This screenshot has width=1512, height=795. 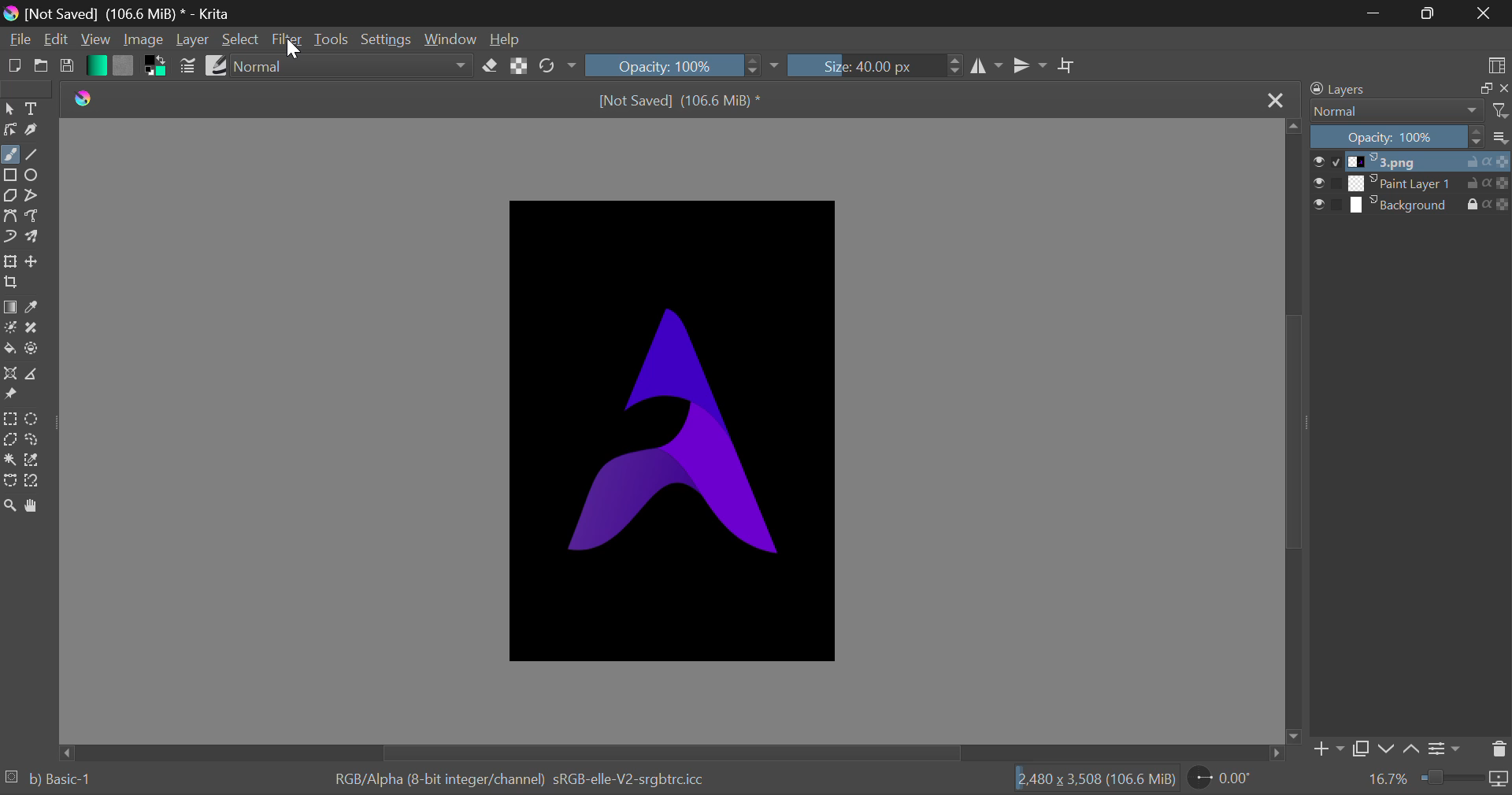 I want to click on Magnetic Selection, so click(x=35, y=481).